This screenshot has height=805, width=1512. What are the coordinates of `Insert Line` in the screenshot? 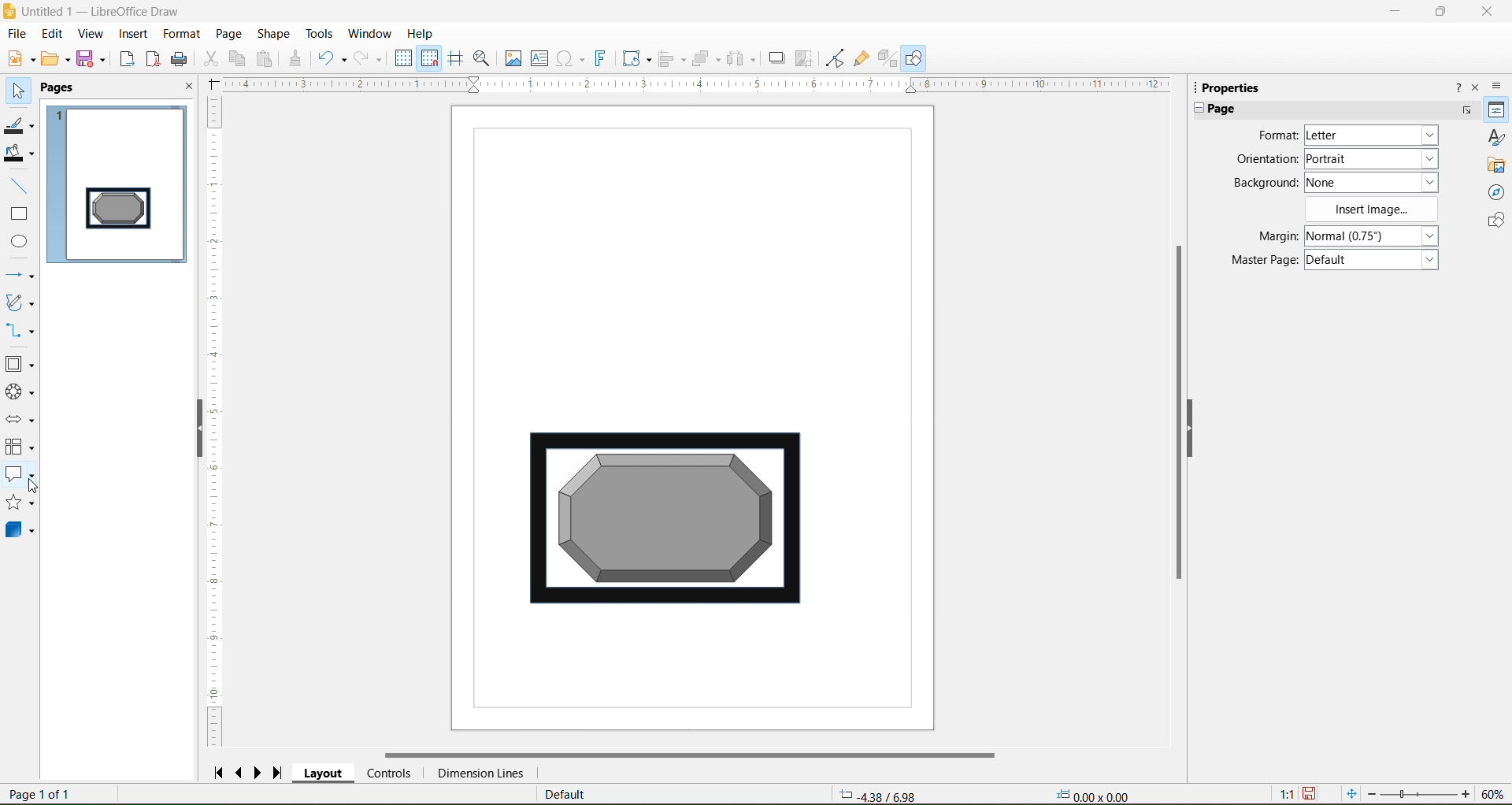 It's located at (20, 187).